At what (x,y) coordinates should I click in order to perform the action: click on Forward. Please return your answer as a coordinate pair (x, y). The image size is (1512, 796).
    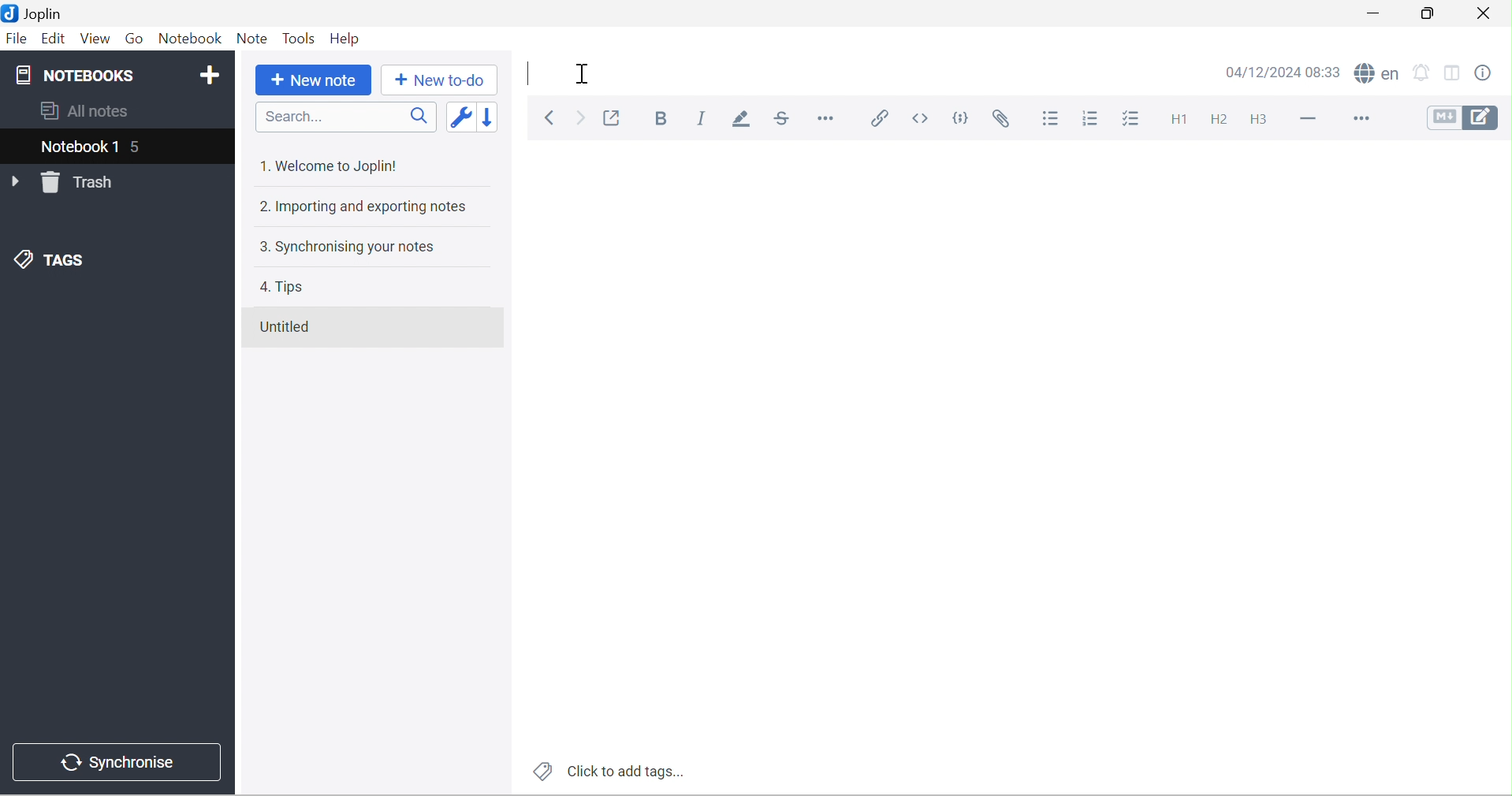
    Looking at the image, I should click on (582, 117).